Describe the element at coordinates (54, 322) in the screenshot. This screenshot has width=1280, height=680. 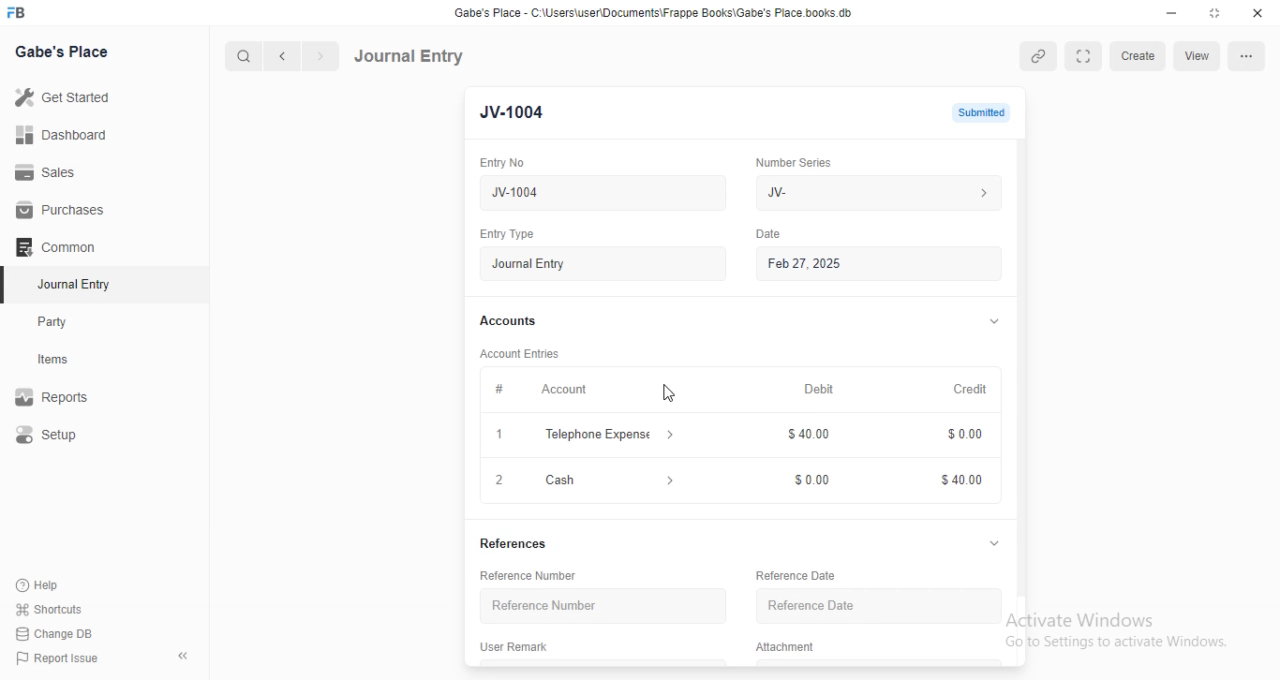
I see `Party` at that location.